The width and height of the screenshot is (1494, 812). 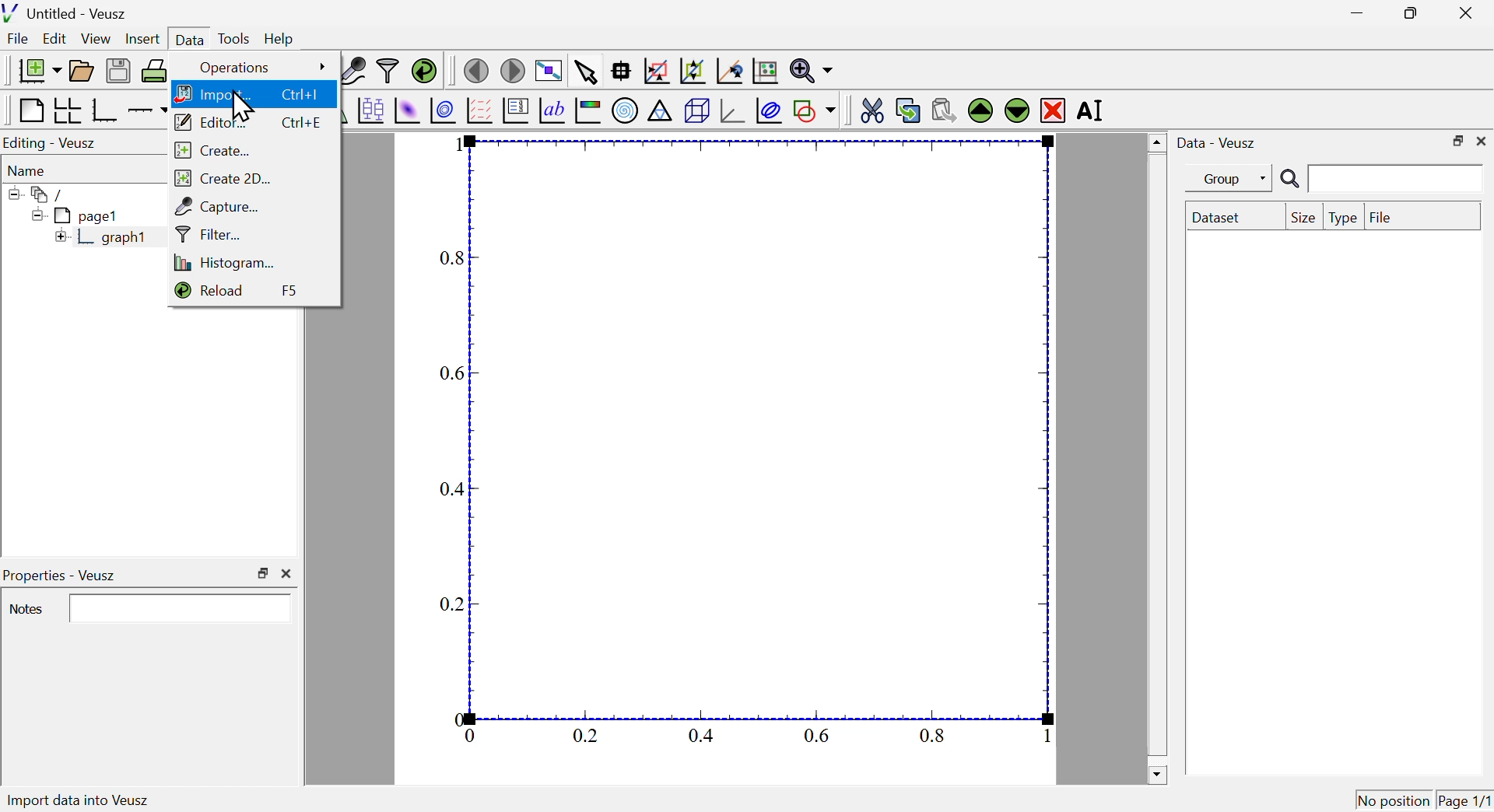 What do you see at coordinates (697, 112) in the screenshot?
I see `3d scene` at bounding box center [697, 112].